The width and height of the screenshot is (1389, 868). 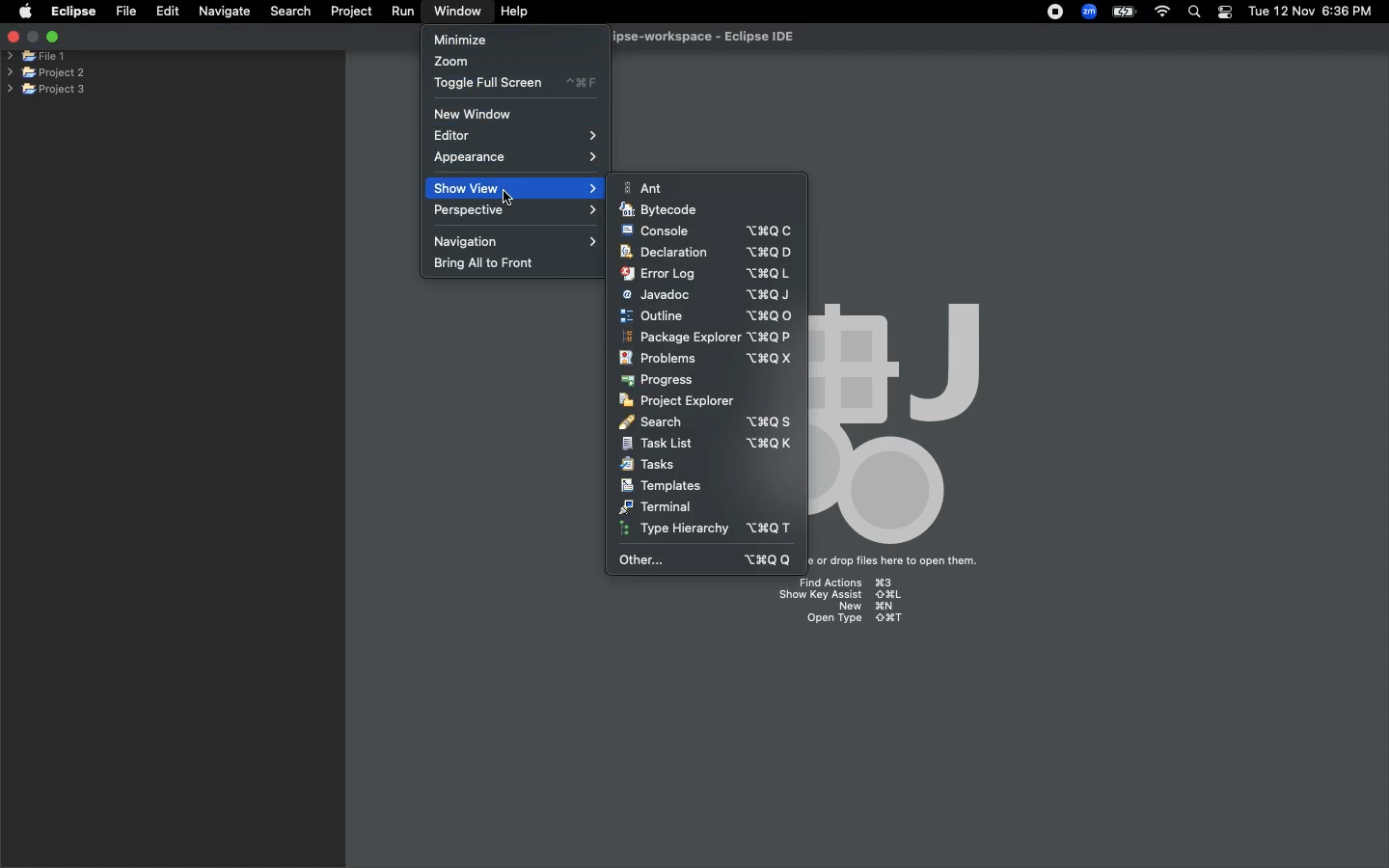 I want to click on Charge, so click(x=1122, y=12).